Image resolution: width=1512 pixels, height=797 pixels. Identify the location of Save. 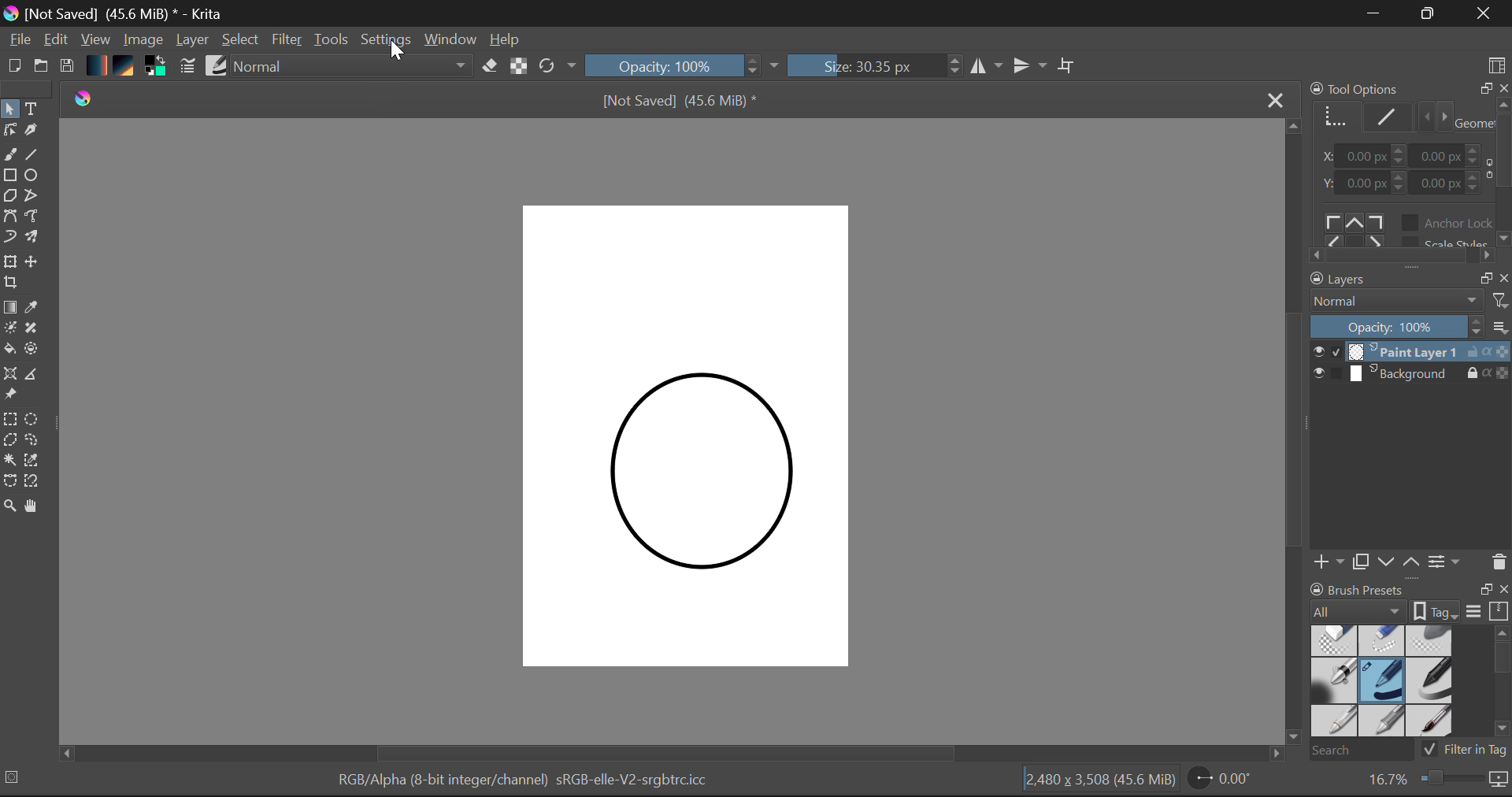
(68, 67).